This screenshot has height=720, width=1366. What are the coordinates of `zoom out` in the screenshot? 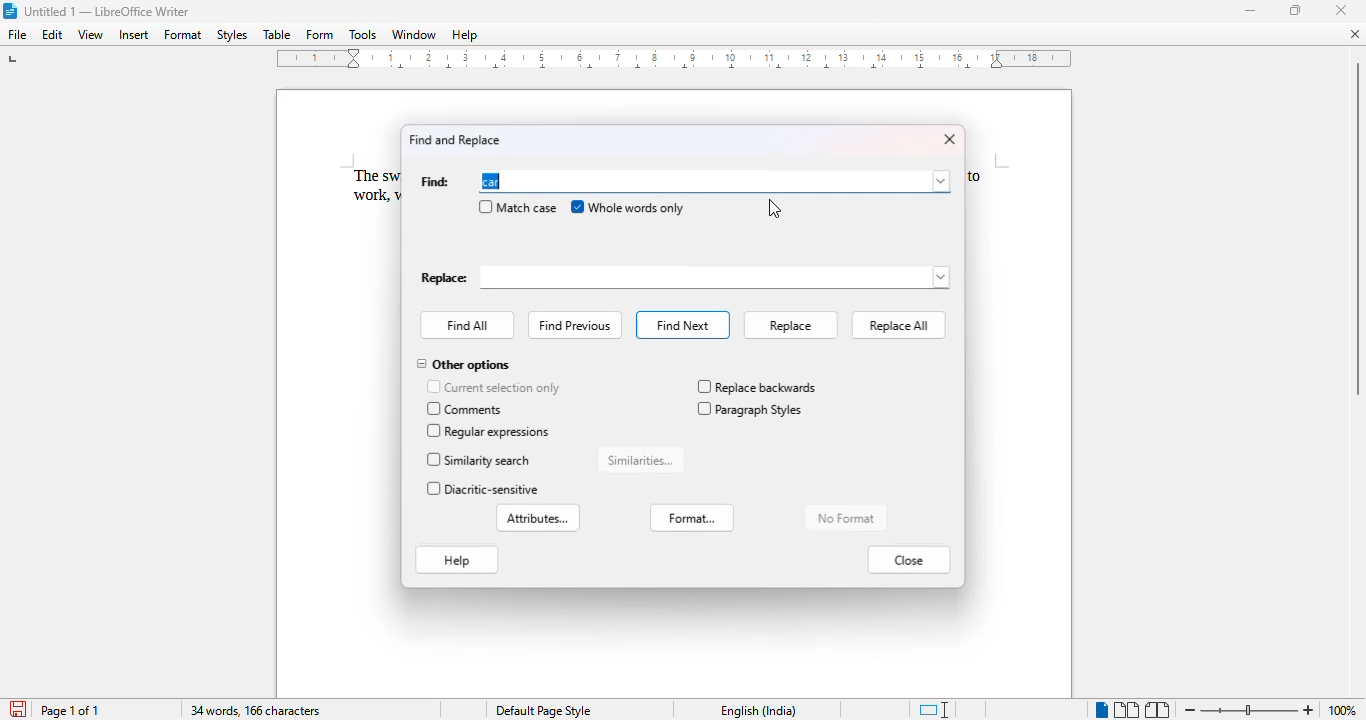 It's located at (1188, 708).